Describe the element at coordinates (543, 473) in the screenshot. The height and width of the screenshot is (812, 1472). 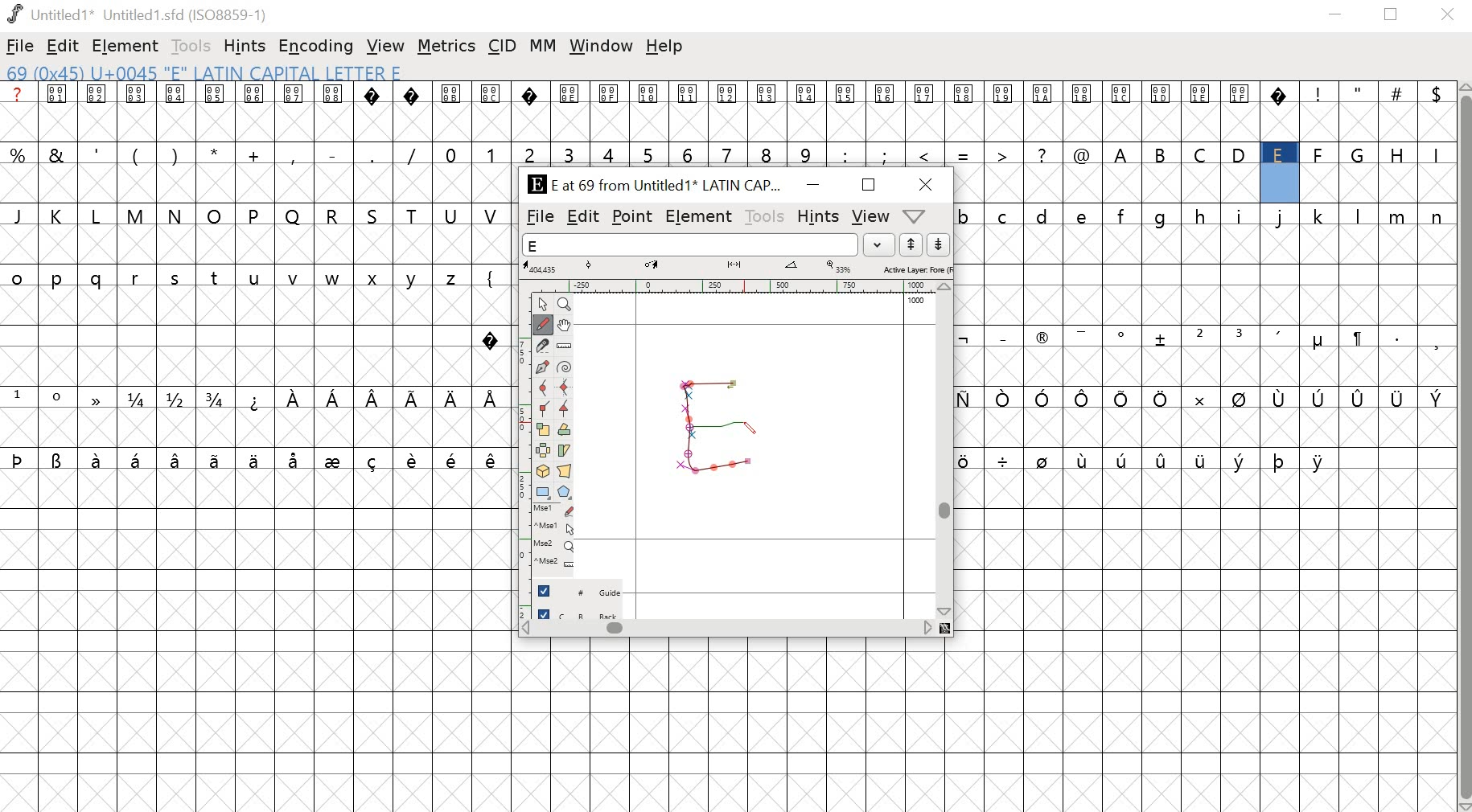
I see `3D rotate` at that location.